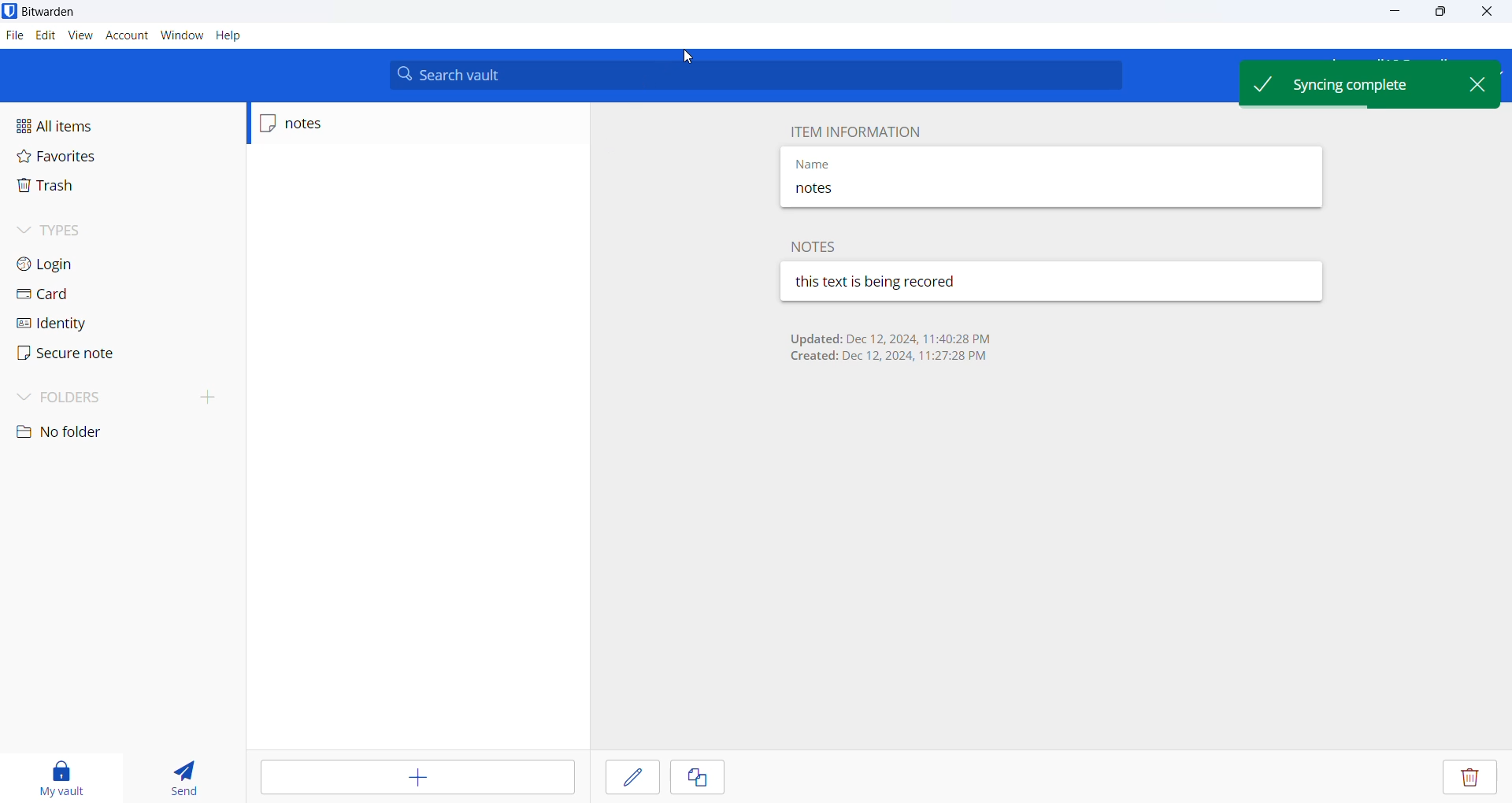 This screenshot has height=803, width=1512. What do you see at coordinates (328, 124) in the screenshot?
I see `notes` at bounding box center [328, 124].